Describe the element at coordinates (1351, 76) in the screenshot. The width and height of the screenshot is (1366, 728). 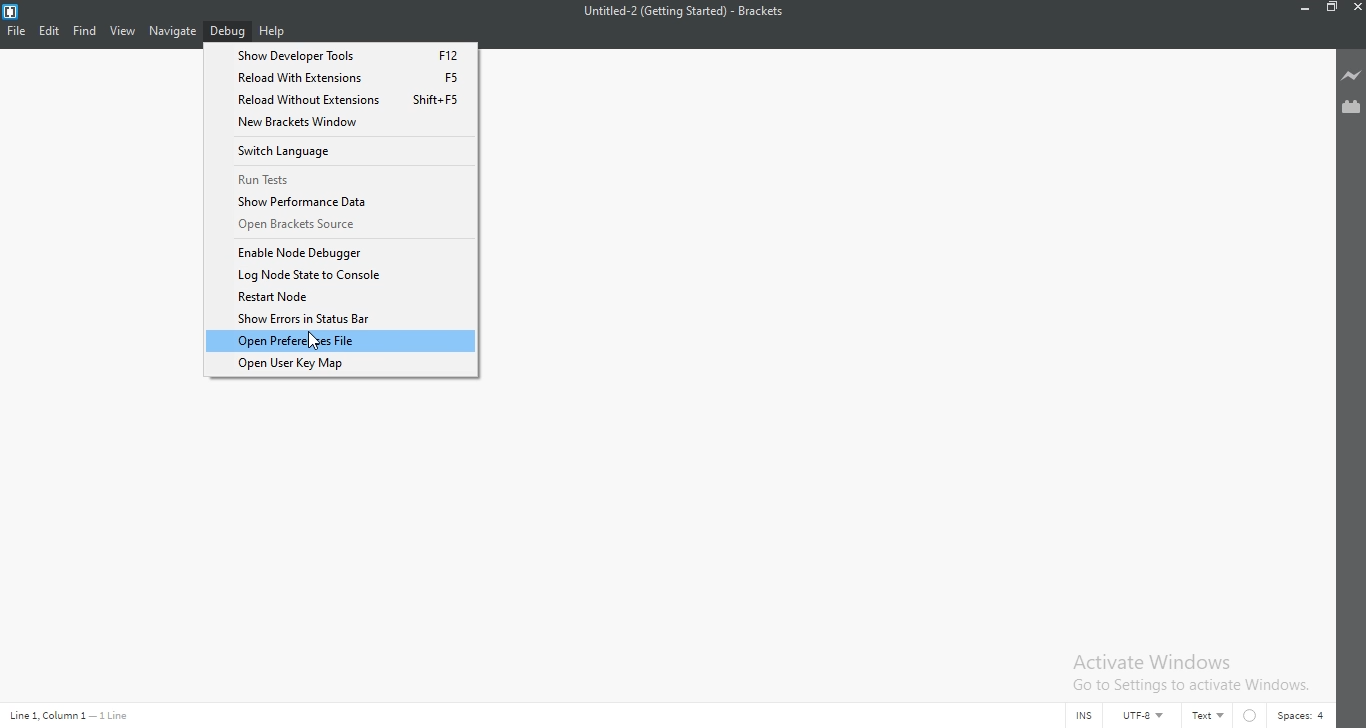
I see `live preview` at that location.